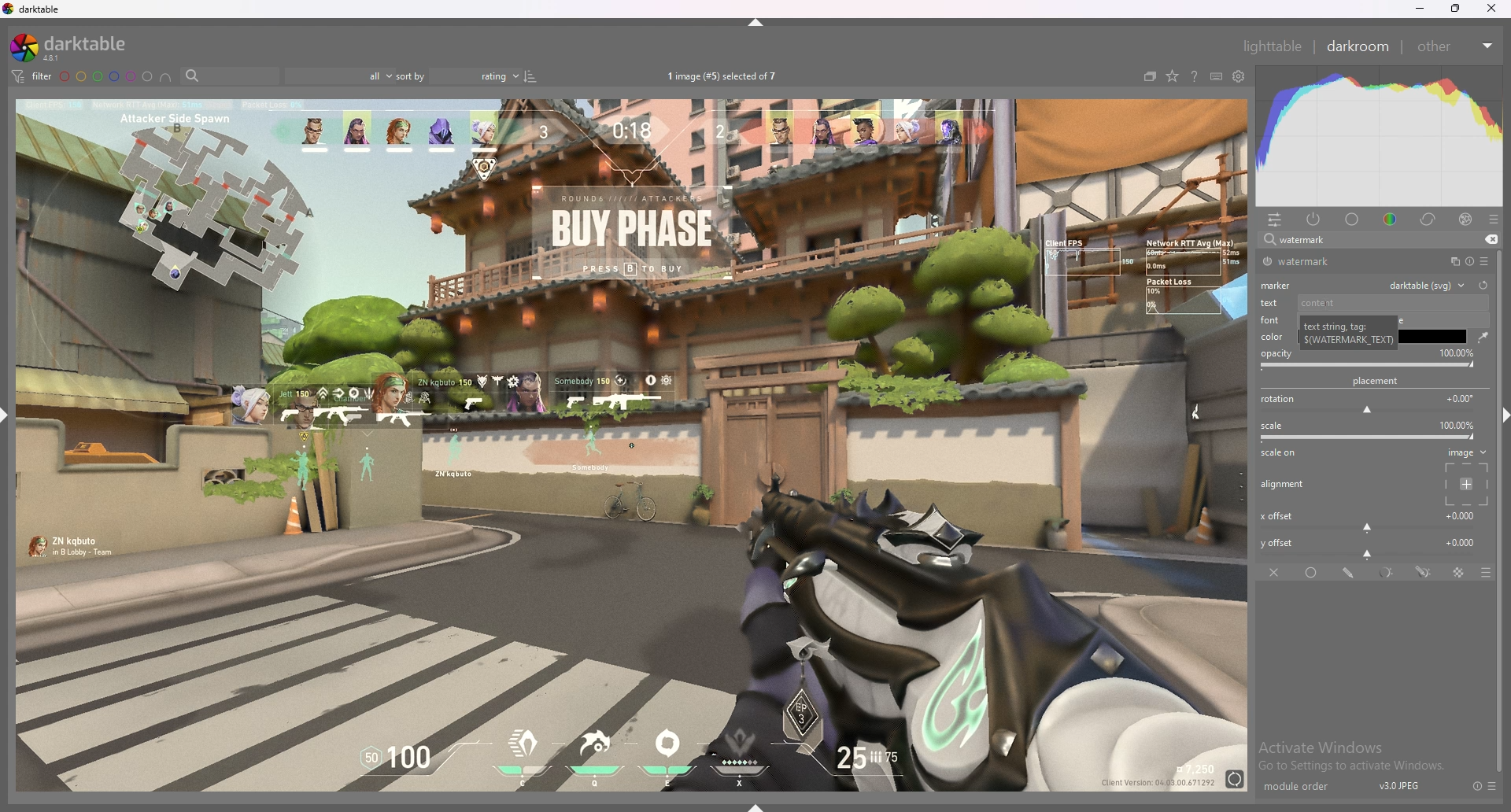 The height and width of the screenshot is (812, 1511). I want to click on sort by, so click(456, 76).